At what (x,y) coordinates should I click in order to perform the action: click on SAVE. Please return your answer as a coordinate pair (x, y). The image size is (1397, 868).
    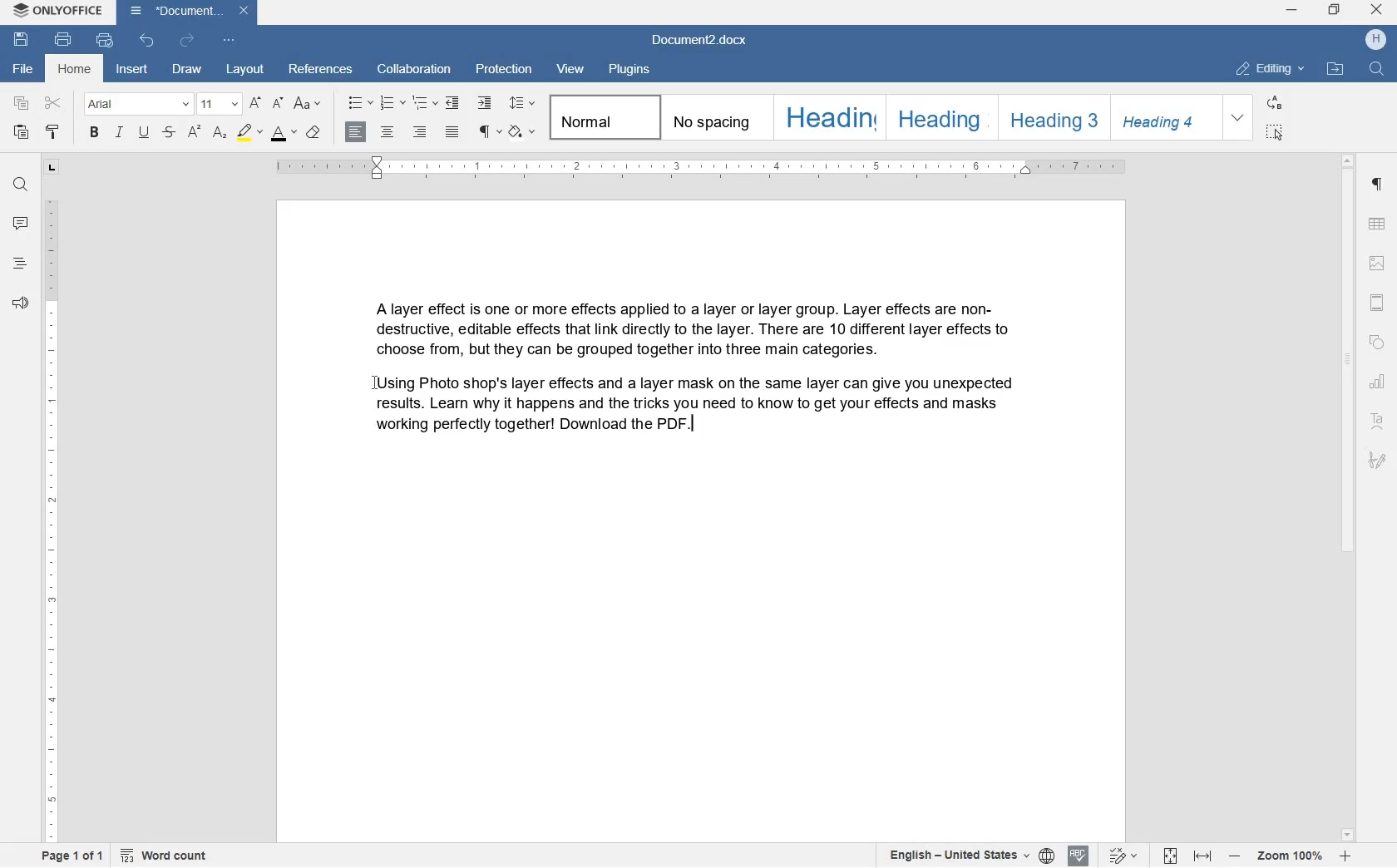
    Looking at the image, I should click on (23, 42).